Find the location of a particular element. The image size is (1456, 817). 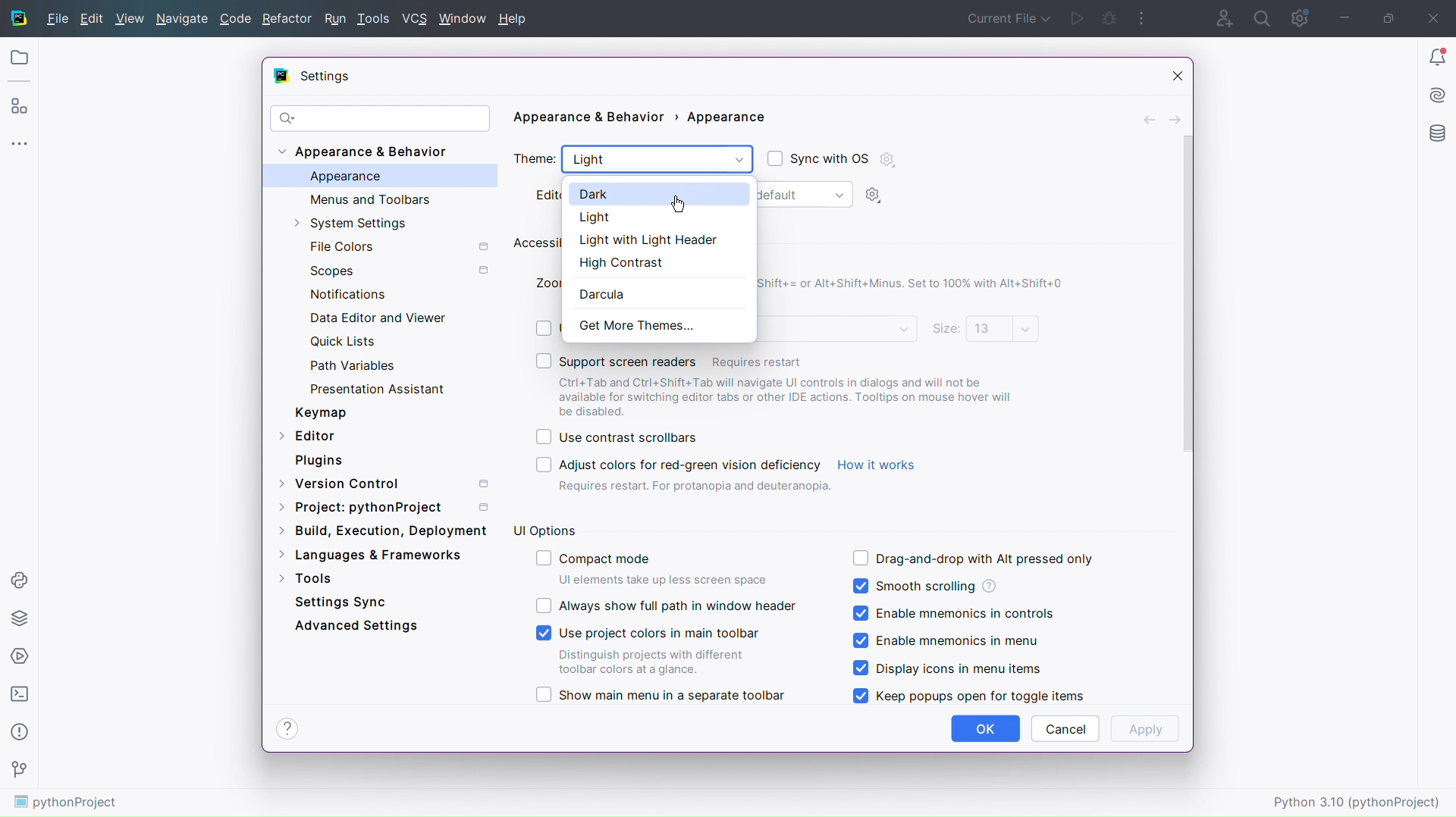

Help is located at coordinates (287, 728).